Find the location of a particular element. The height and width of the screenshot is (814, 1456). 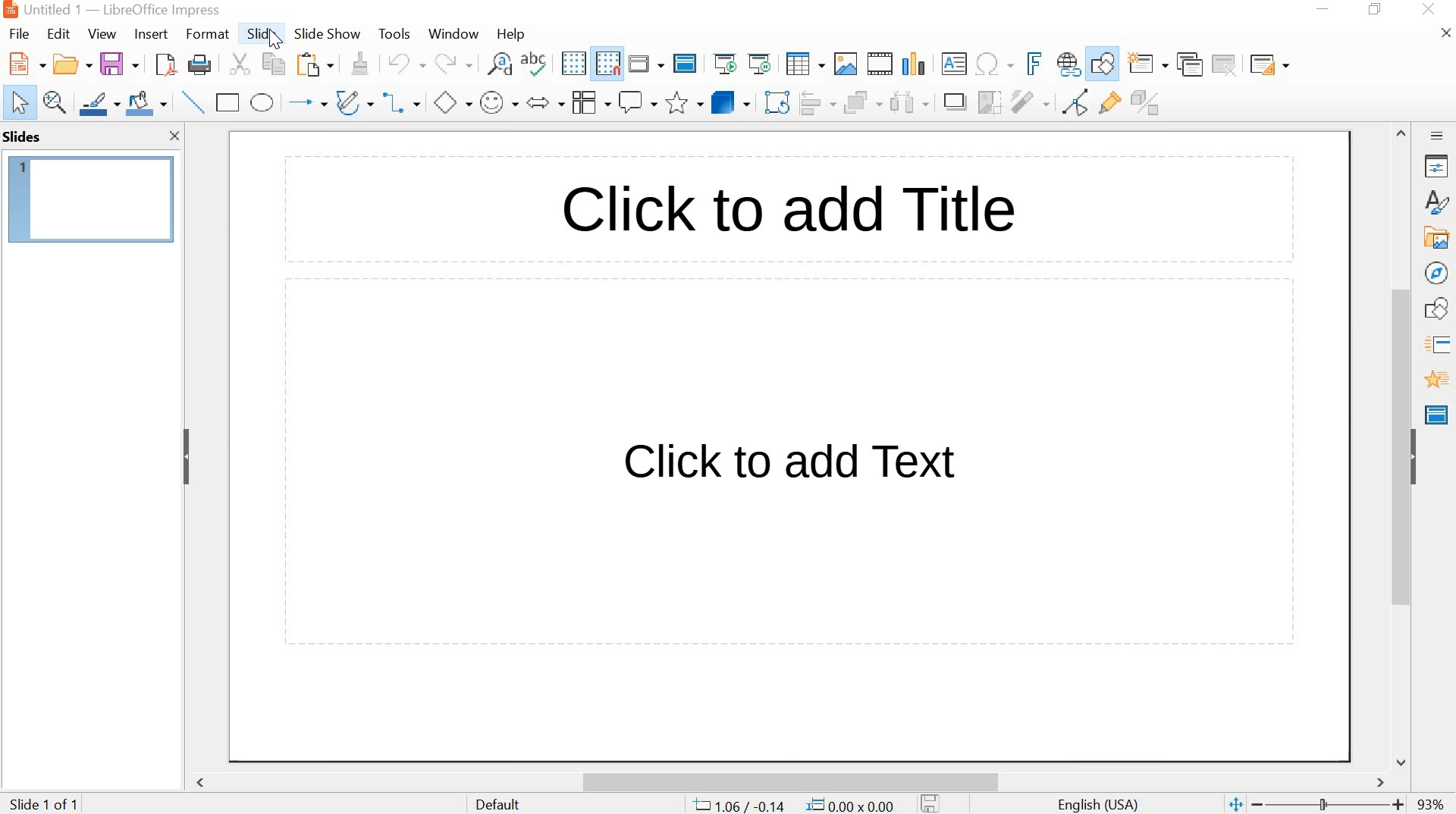

Curves and polygons is located at coordinates (354, 101).